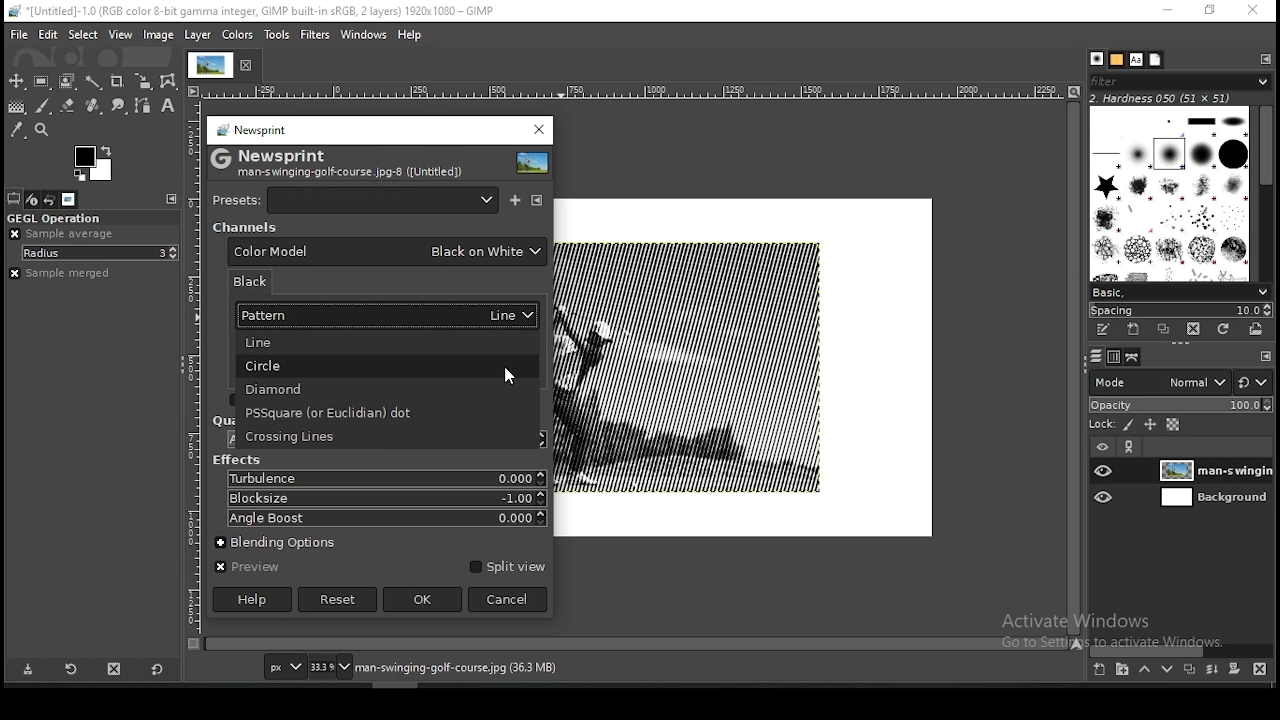 Image resolution: width=1280 pixels, height=720 pixels. Describe the element at coordinates (388, 415) in the screenshot. I see `PSSquare (or euclidian) dot` at that location.